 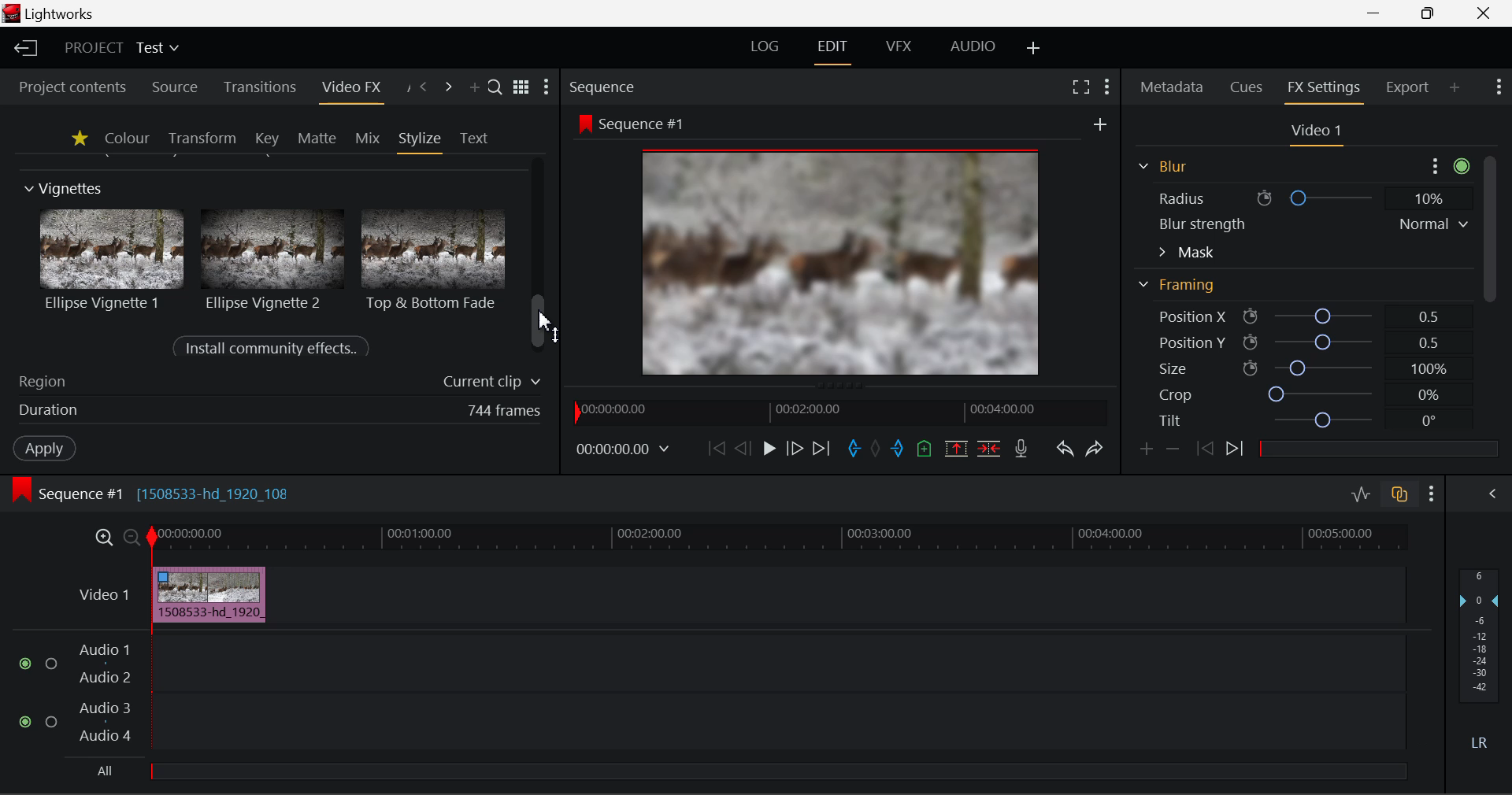 What do you see at coordinates (852, 446) in the screenshot?
I see `Mark In` at bounding box center [852, 446].